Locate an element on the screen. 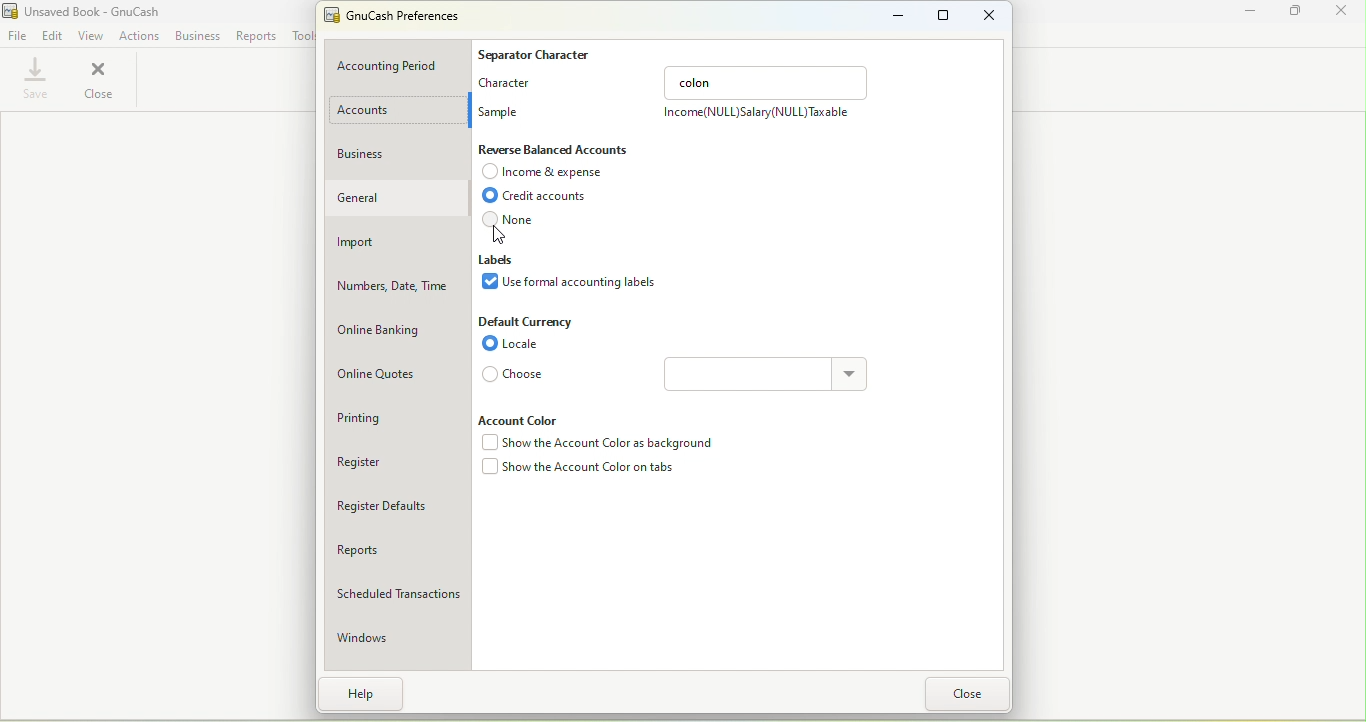  Default Currency is located at coordinates (527, 324).